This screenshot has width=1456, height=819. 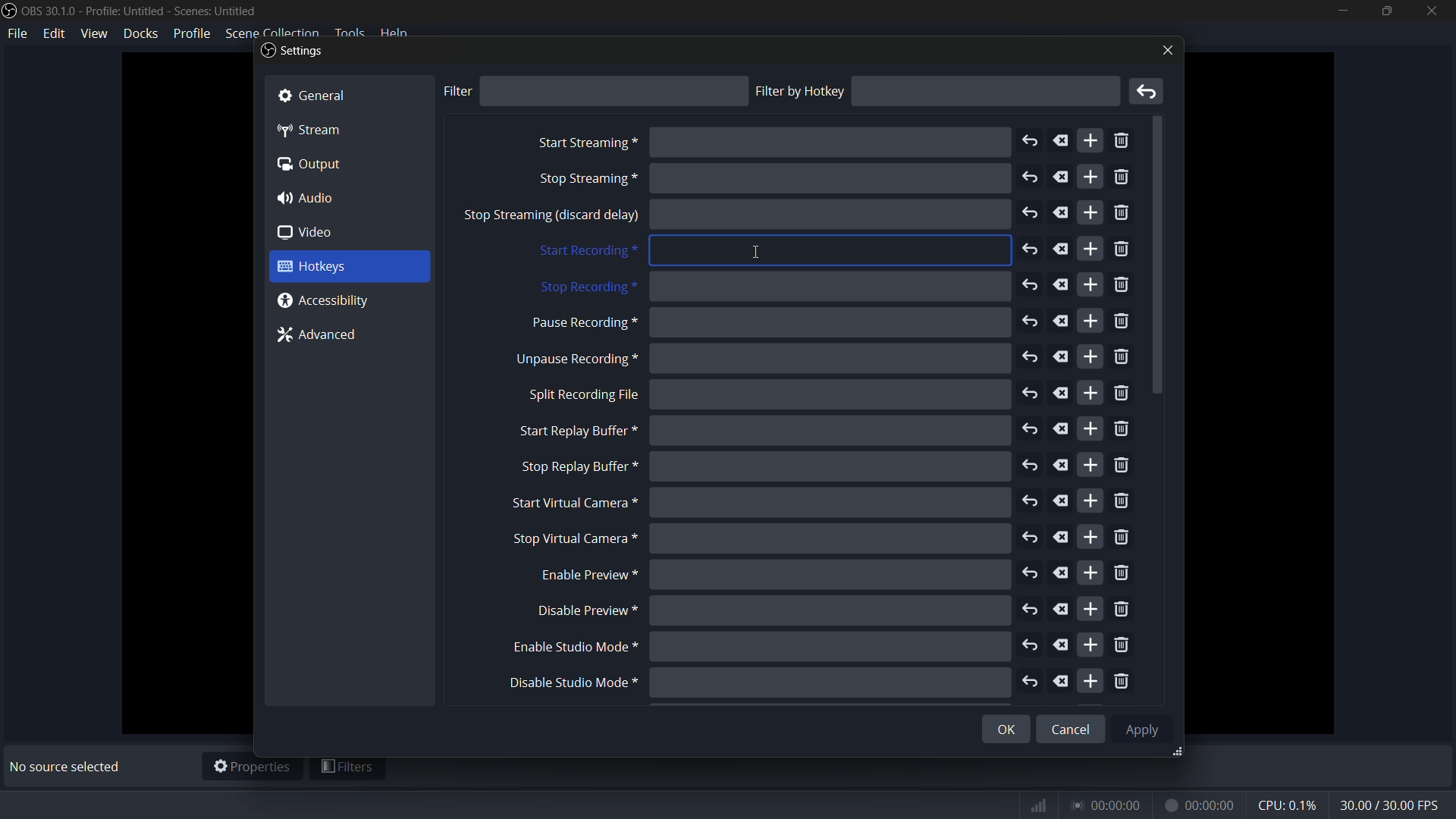 What do you see at coordinates (1122, 430) in the screenshot?
I see `remove` at bounding box center [1122, 430].